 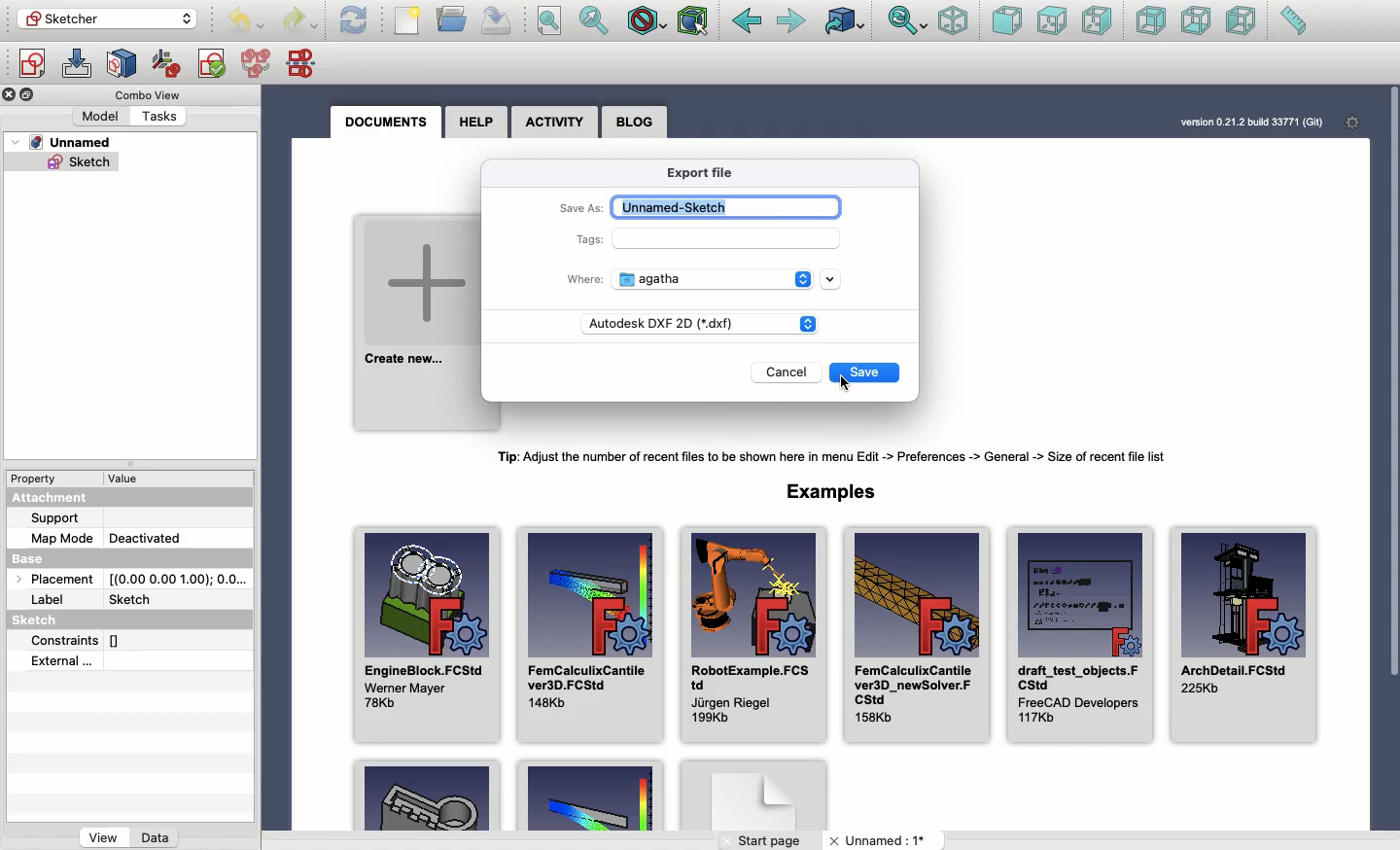 What do you see at coordinates (593, 20) in the screenshot?
I see `Fit selection` at bounding box center [593, 20].